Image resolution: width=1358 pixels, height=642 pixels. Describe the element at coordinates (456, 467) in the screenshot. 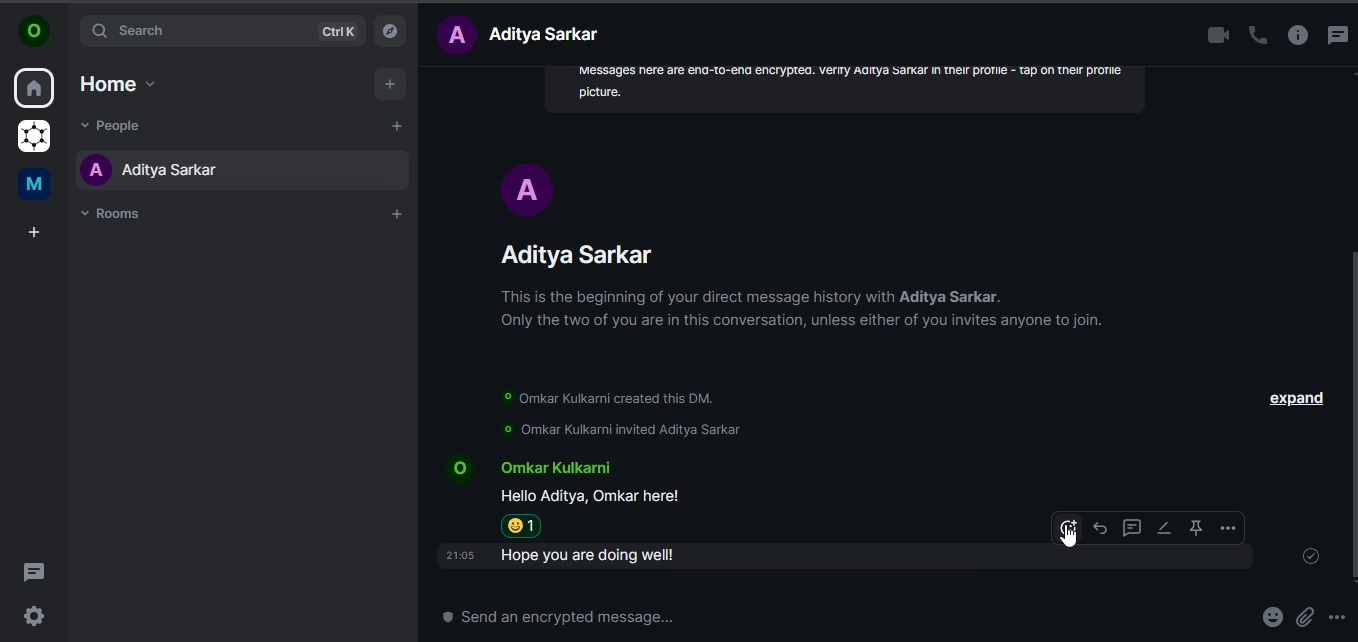

I see `Avatar` at that location.